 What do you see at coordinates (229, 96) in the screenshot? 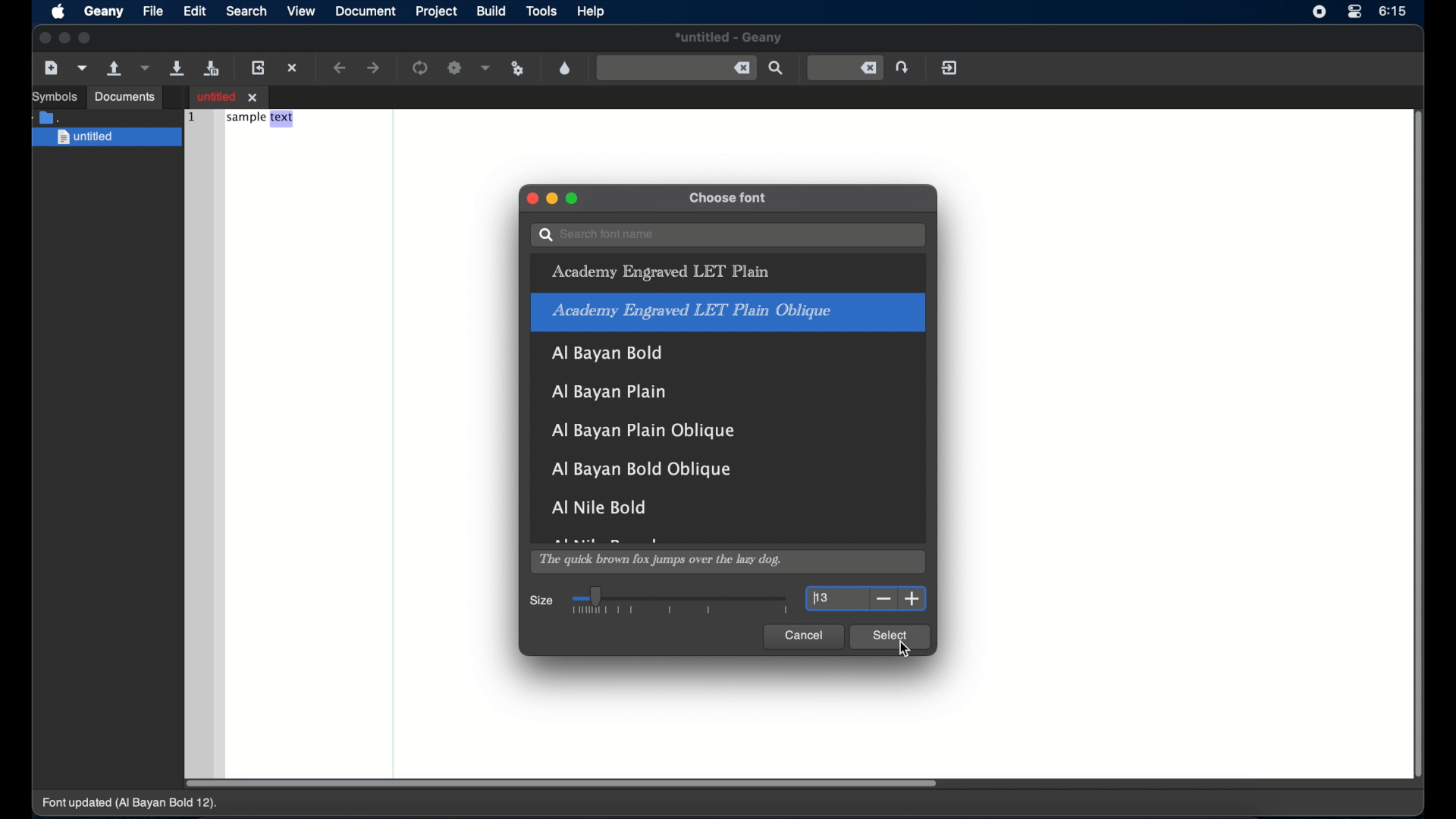
I see `untitled file` at bounding box center [229, 96].